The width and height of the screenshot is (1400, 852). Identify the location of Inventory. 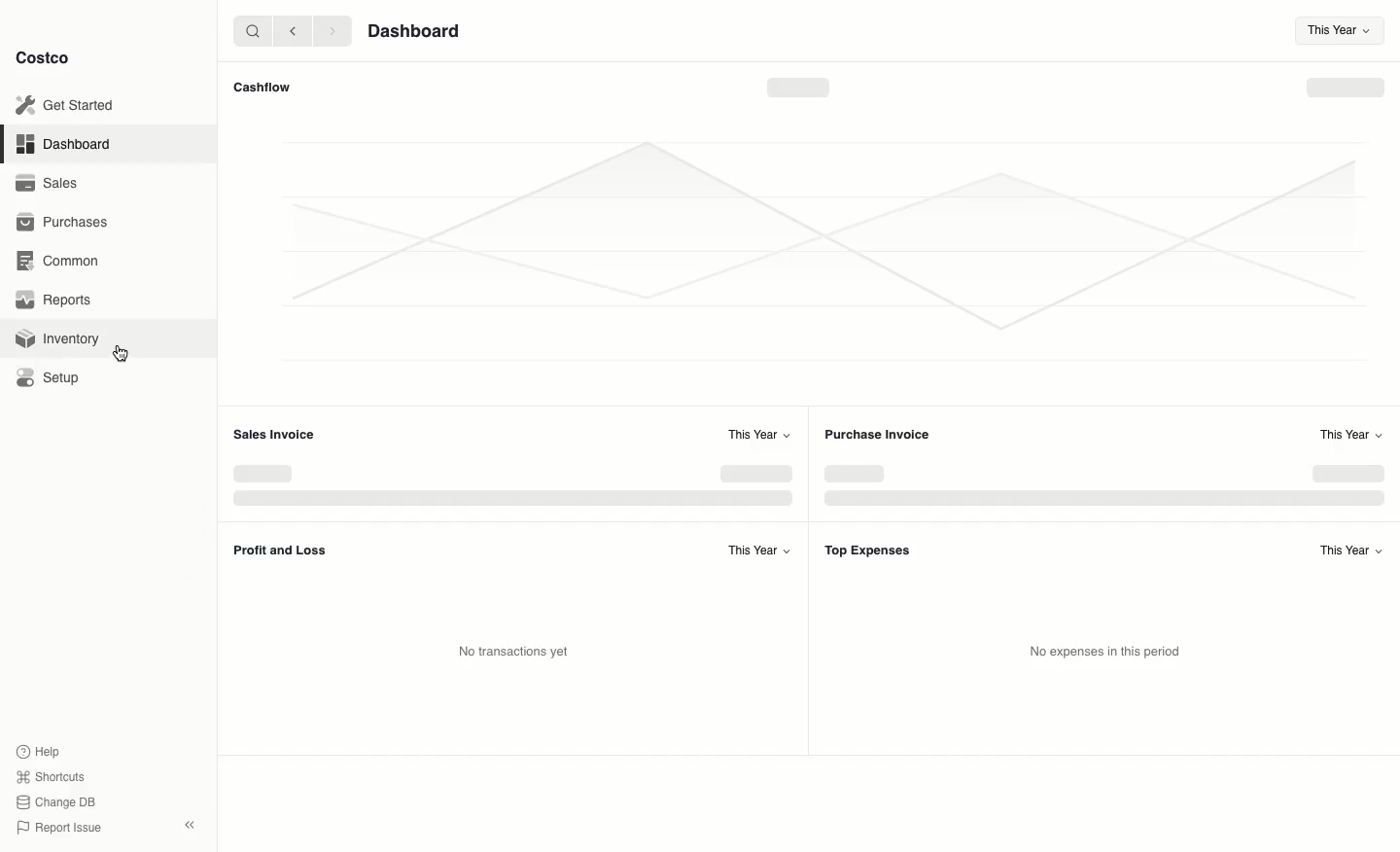
(60, 339).